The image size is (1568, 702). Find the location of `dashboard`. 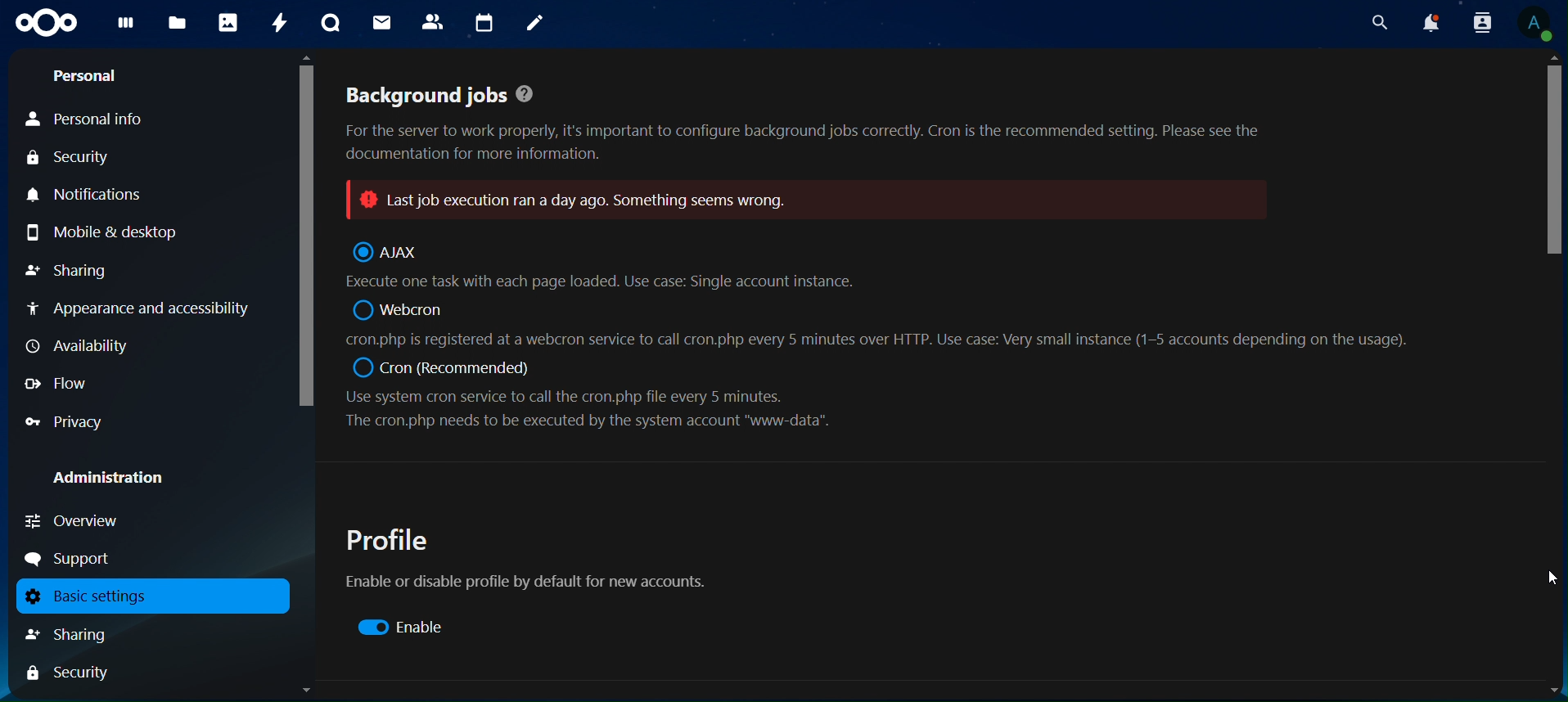

dashboard is located at coordinates (126, 27).